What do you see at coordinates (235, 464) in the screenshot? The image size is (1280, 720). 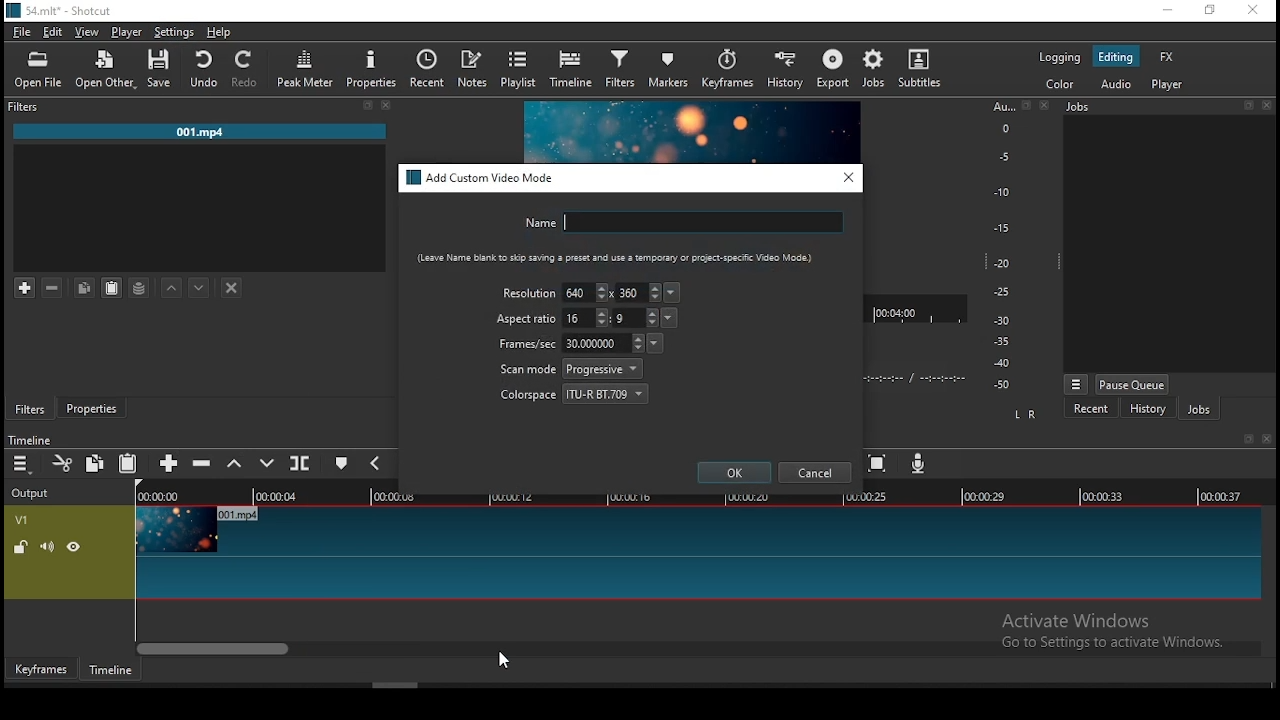 I see `lift` at bounding box center [235, 464].